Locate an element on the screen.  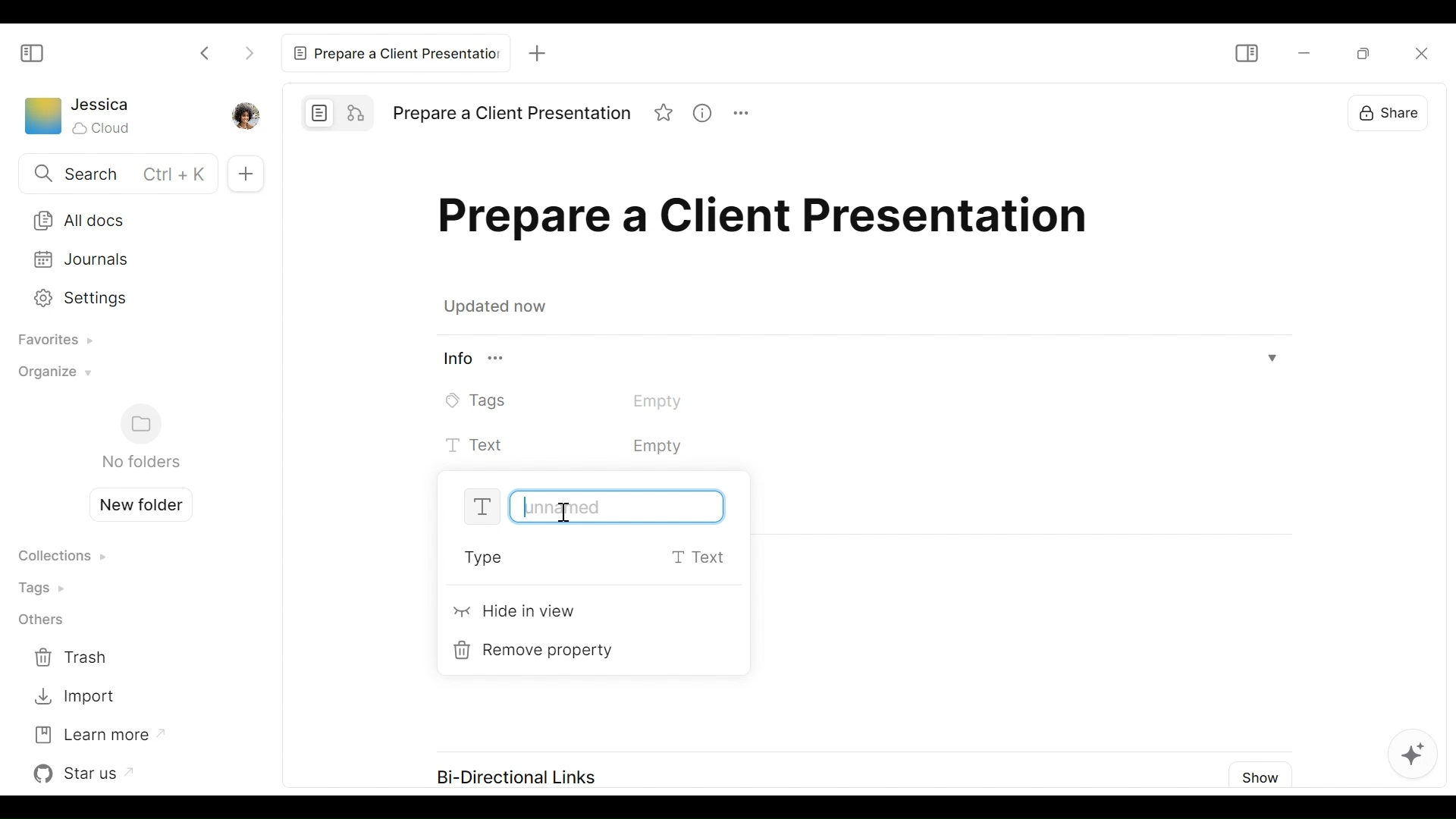
Profile picture is located at coordinates (243, 115).